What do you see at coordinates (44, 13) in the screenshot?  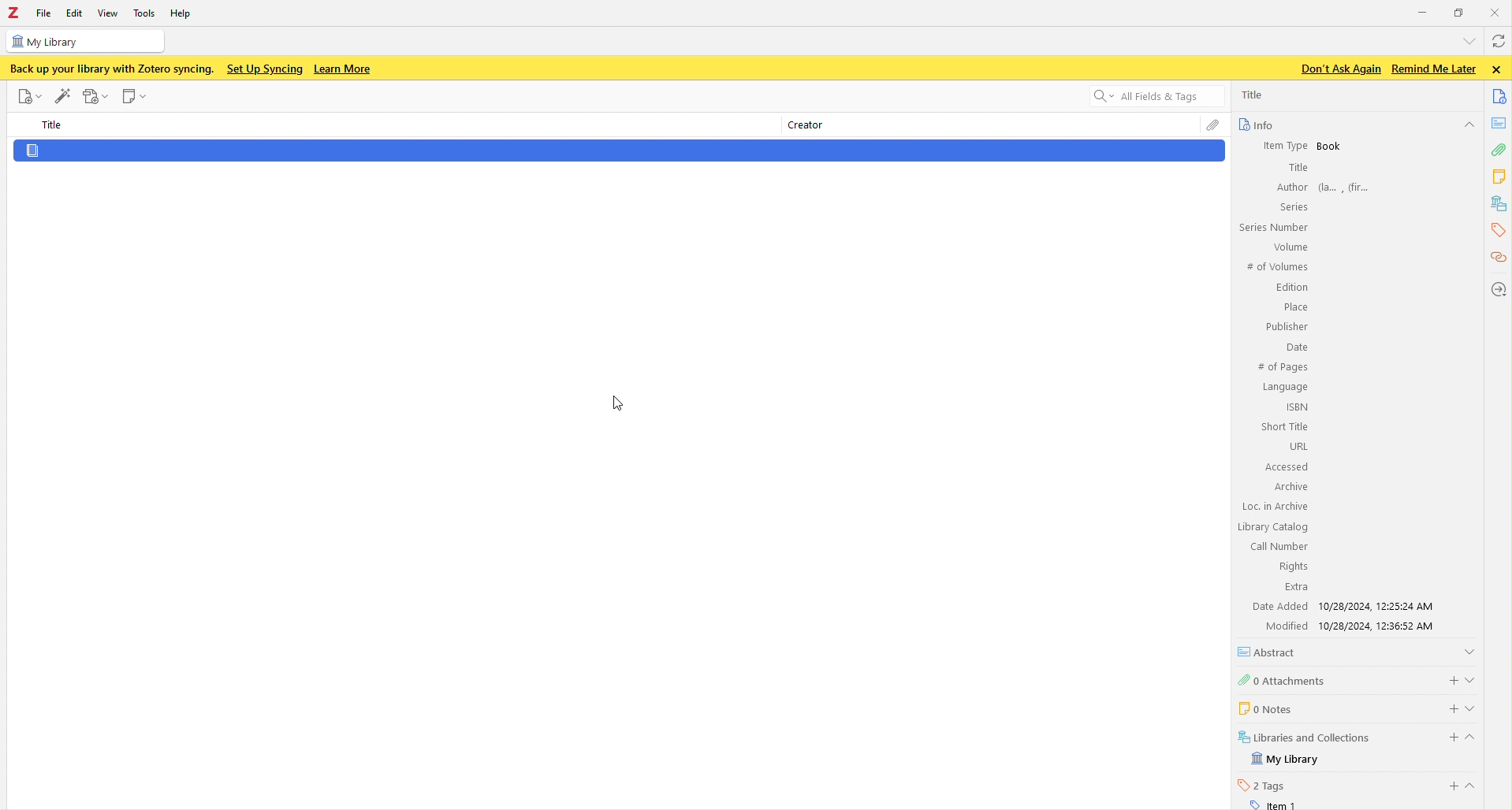 I see `FIle` at bounding box center [44, 13].